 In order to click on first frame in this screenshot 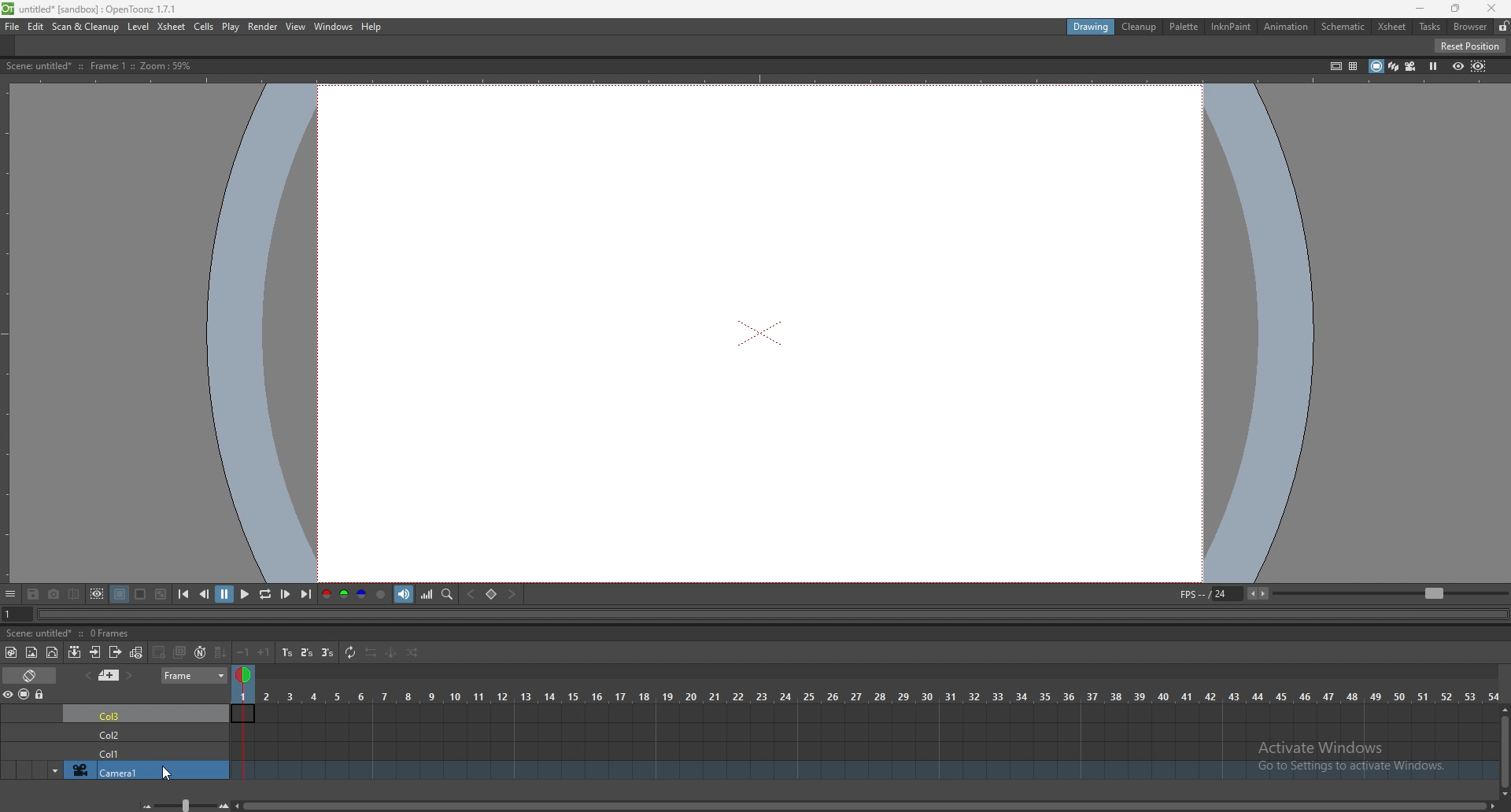, I will do `click(184, 594)`.